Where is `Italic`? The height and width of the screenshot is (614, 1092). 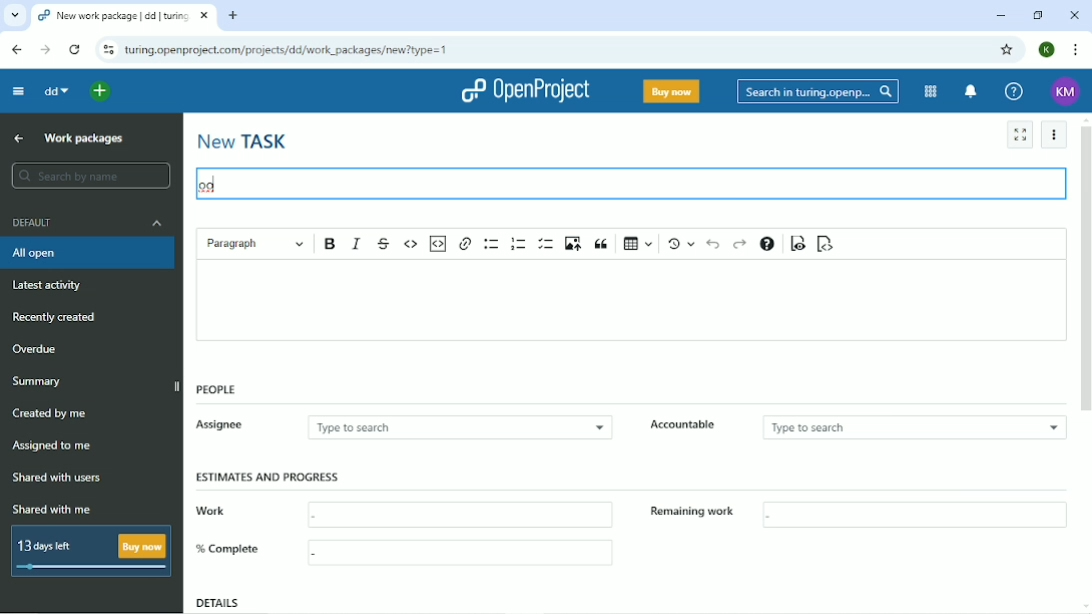 Italic is located at coordinates (356, 243).